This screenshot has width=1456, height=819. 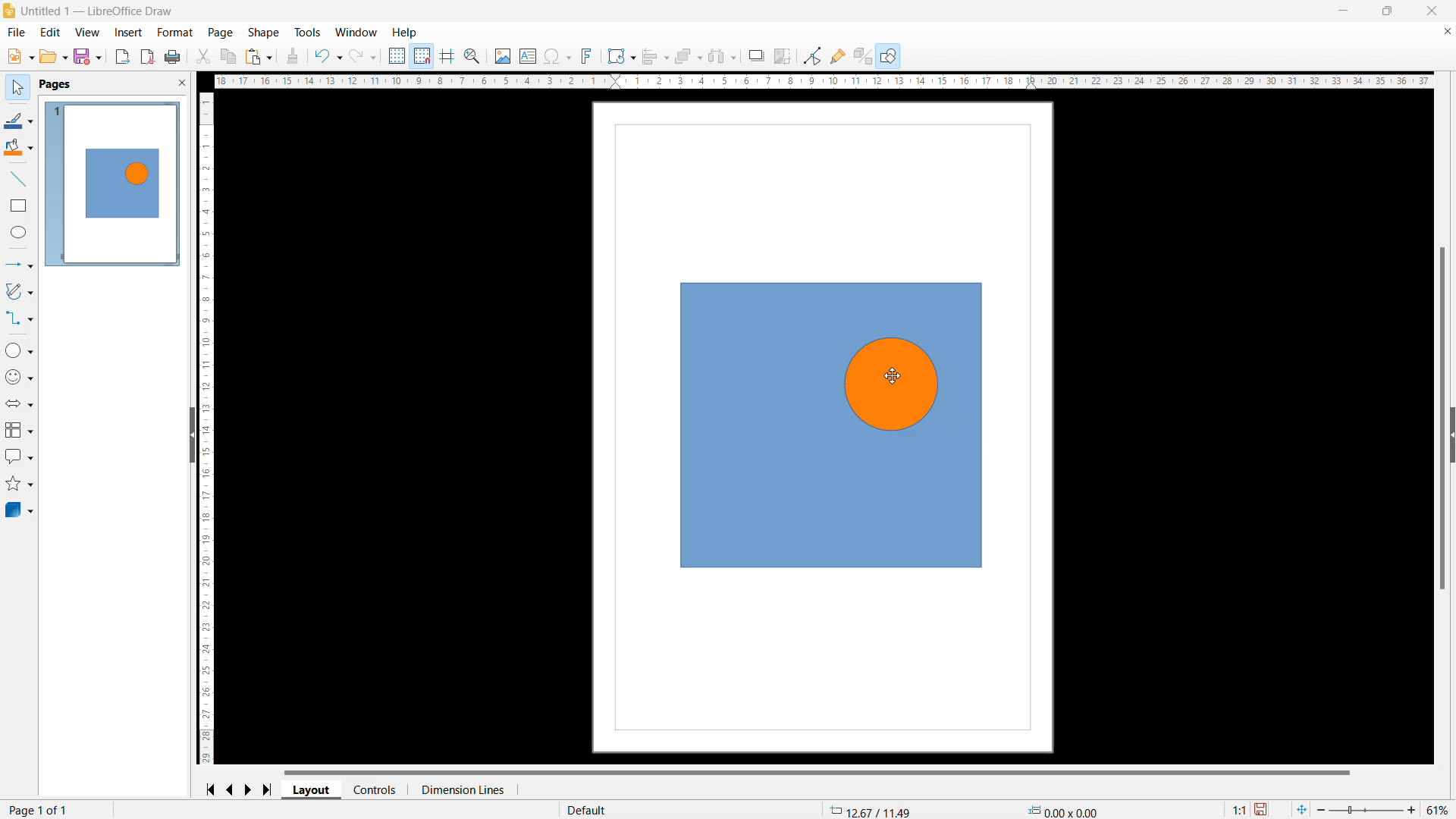 I want to click on rectangle tool, so click(x=19, y=206).